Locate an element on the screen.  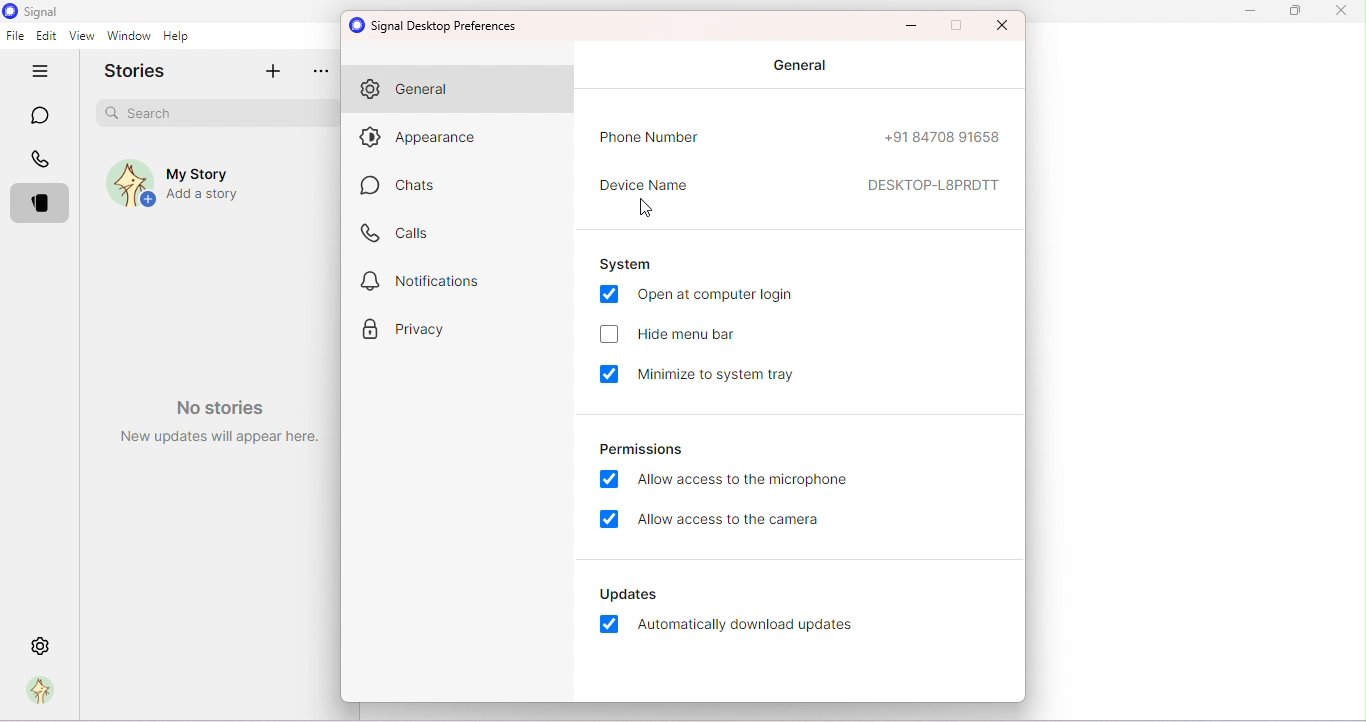
Watermark- No stories is located at coordinates (218, 419).